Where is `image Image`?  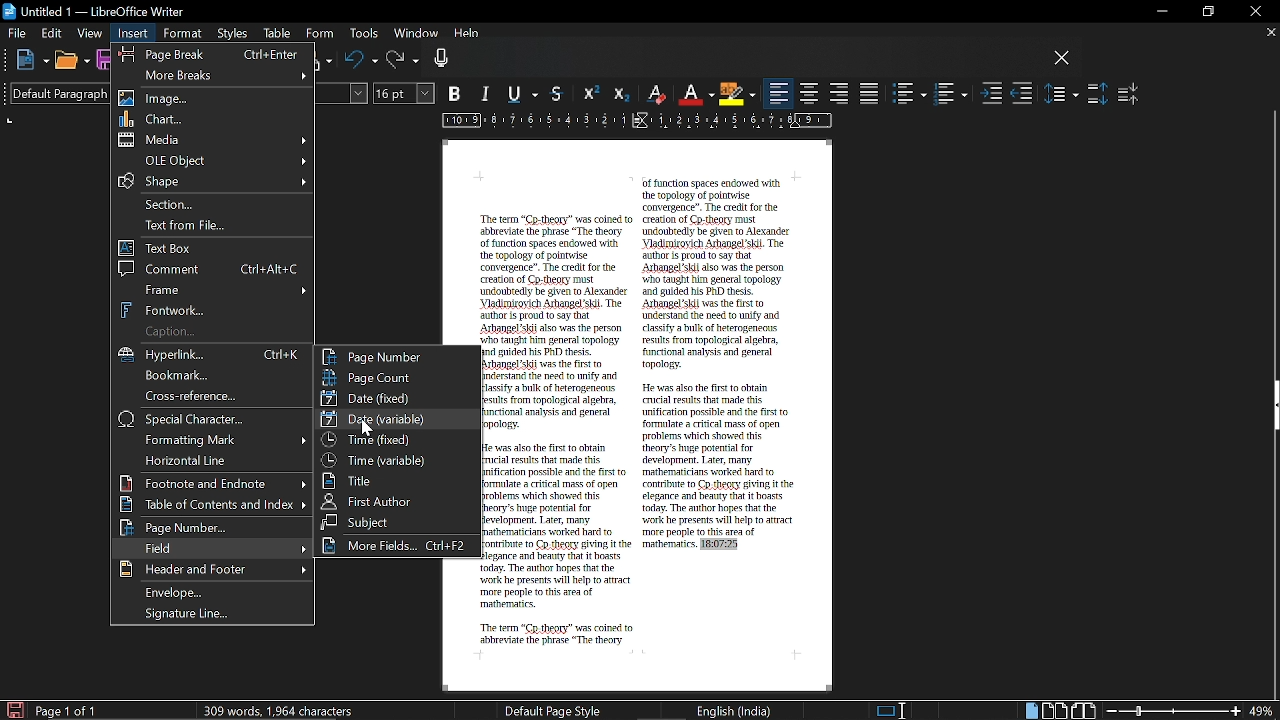
image Image is located at coordinates (215, 98).